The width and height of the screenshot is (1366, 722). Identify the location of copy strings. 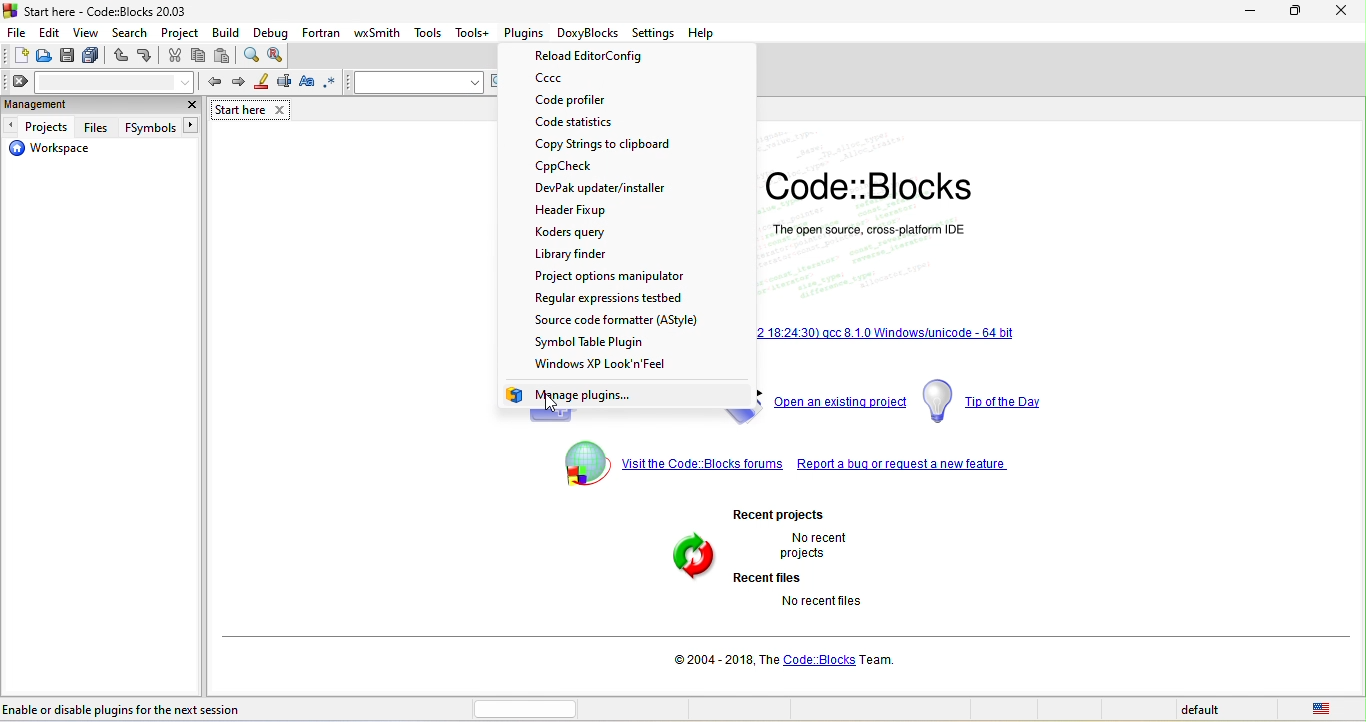
(609, 144).